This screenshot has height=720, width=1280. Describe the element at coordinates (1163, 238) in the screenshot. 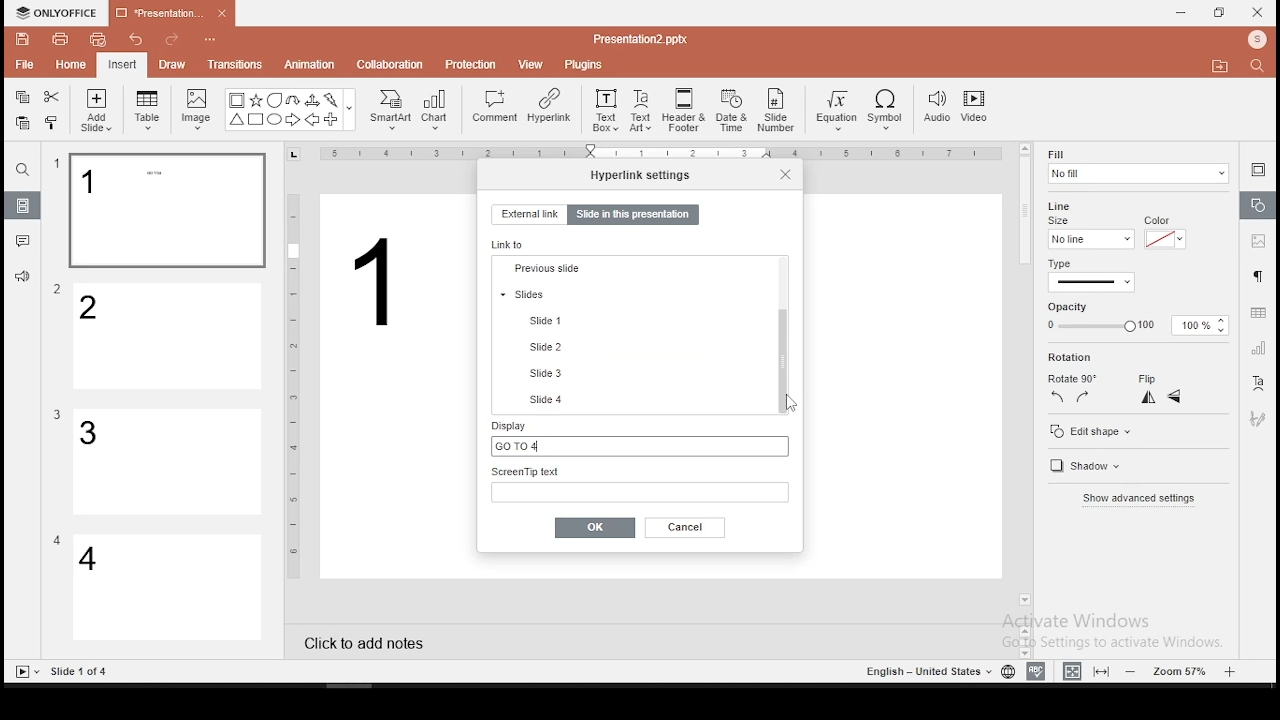

I see `line color` at that location.